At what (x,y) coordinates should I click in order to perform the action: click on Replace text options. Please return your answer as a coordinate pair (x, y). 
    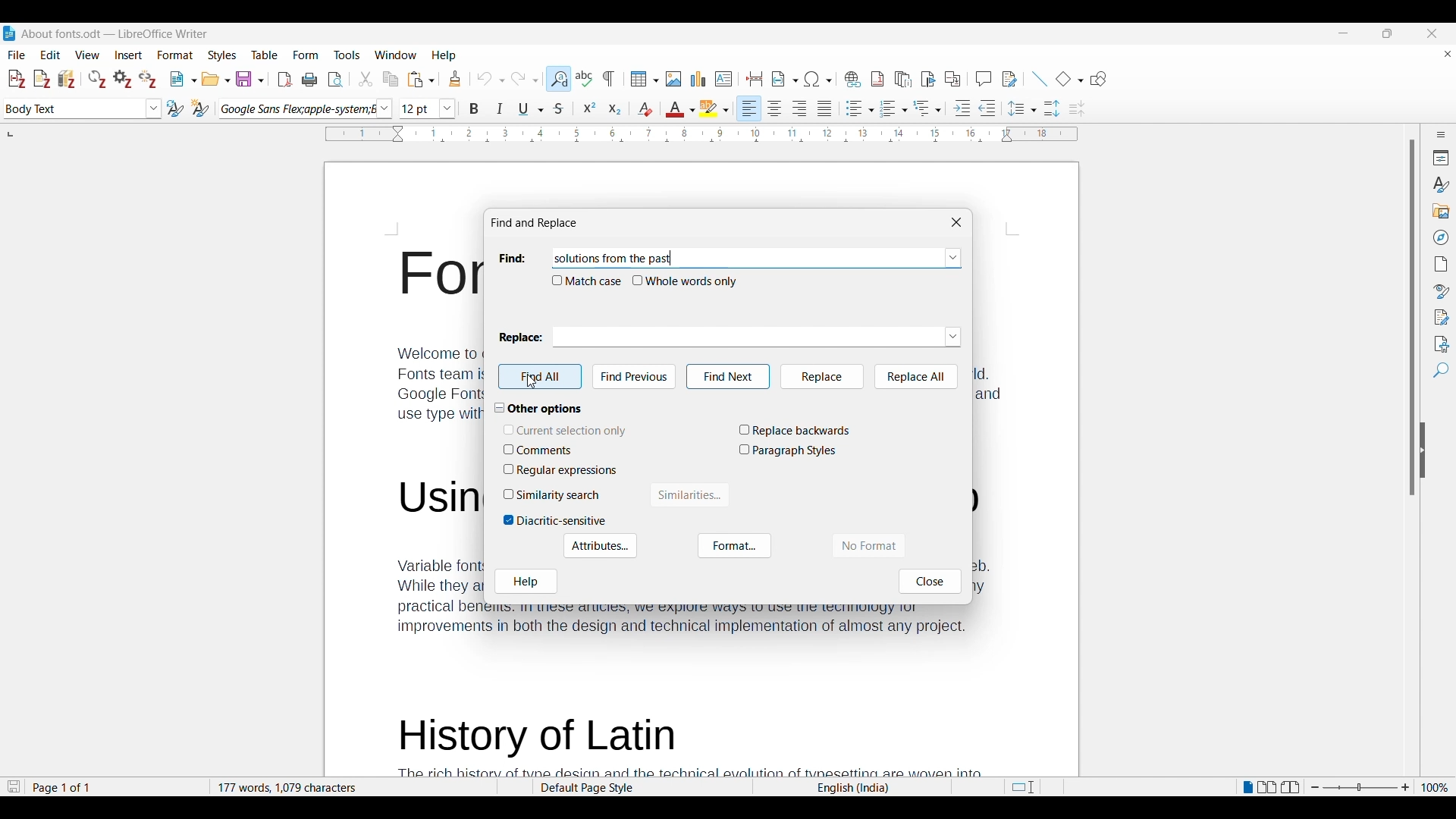
    Looking at the image, I should click on (952, 337).